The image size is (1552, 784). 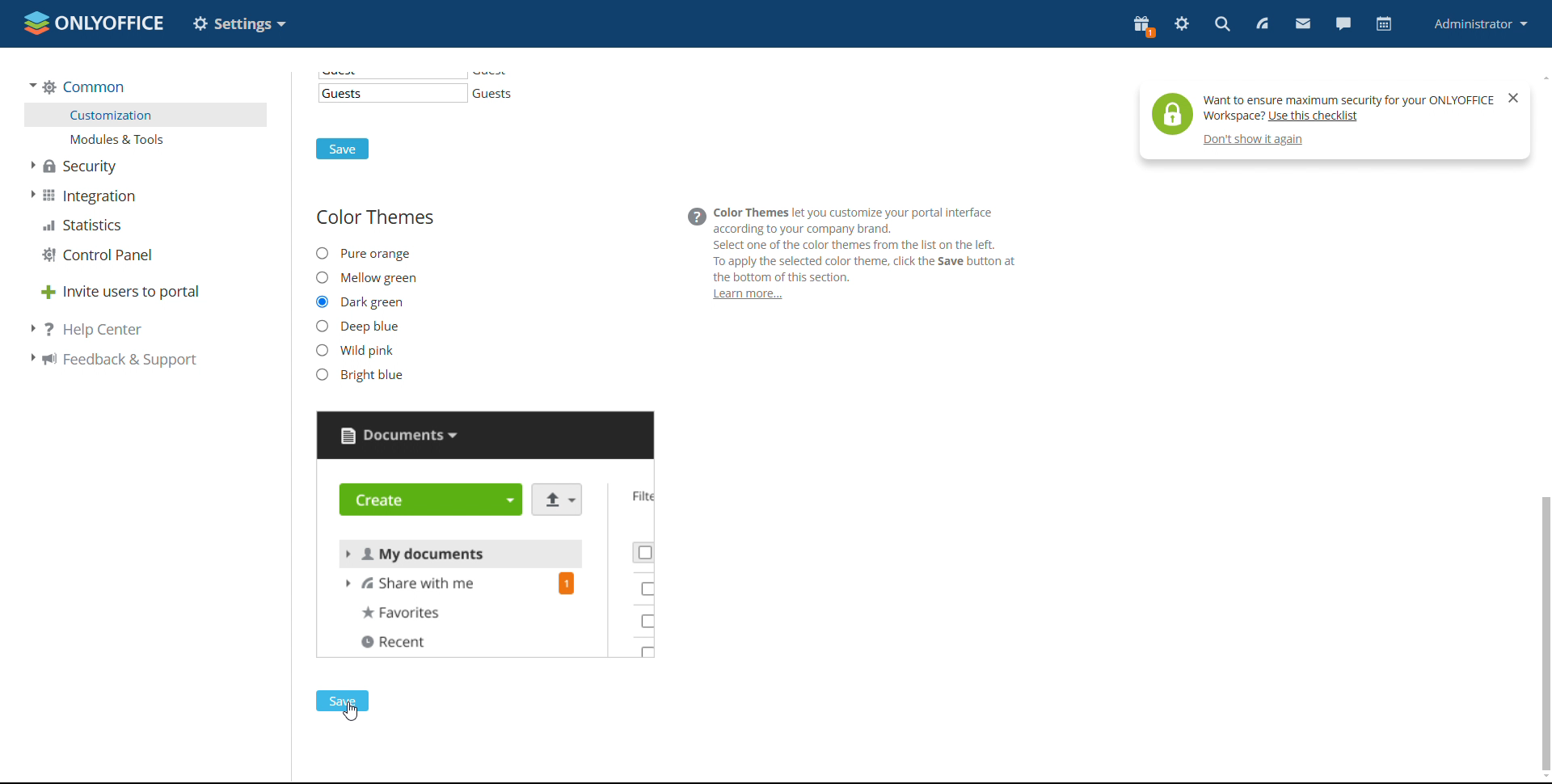 I want to click on @ Color Themes let you customize your portal interfaceaccording to your company brand.Select one of the color themes from the list on the left.To apply the selected color theme, click the Save button atthe bottom of this section.Learn more...i, so click(x=855, y=255).